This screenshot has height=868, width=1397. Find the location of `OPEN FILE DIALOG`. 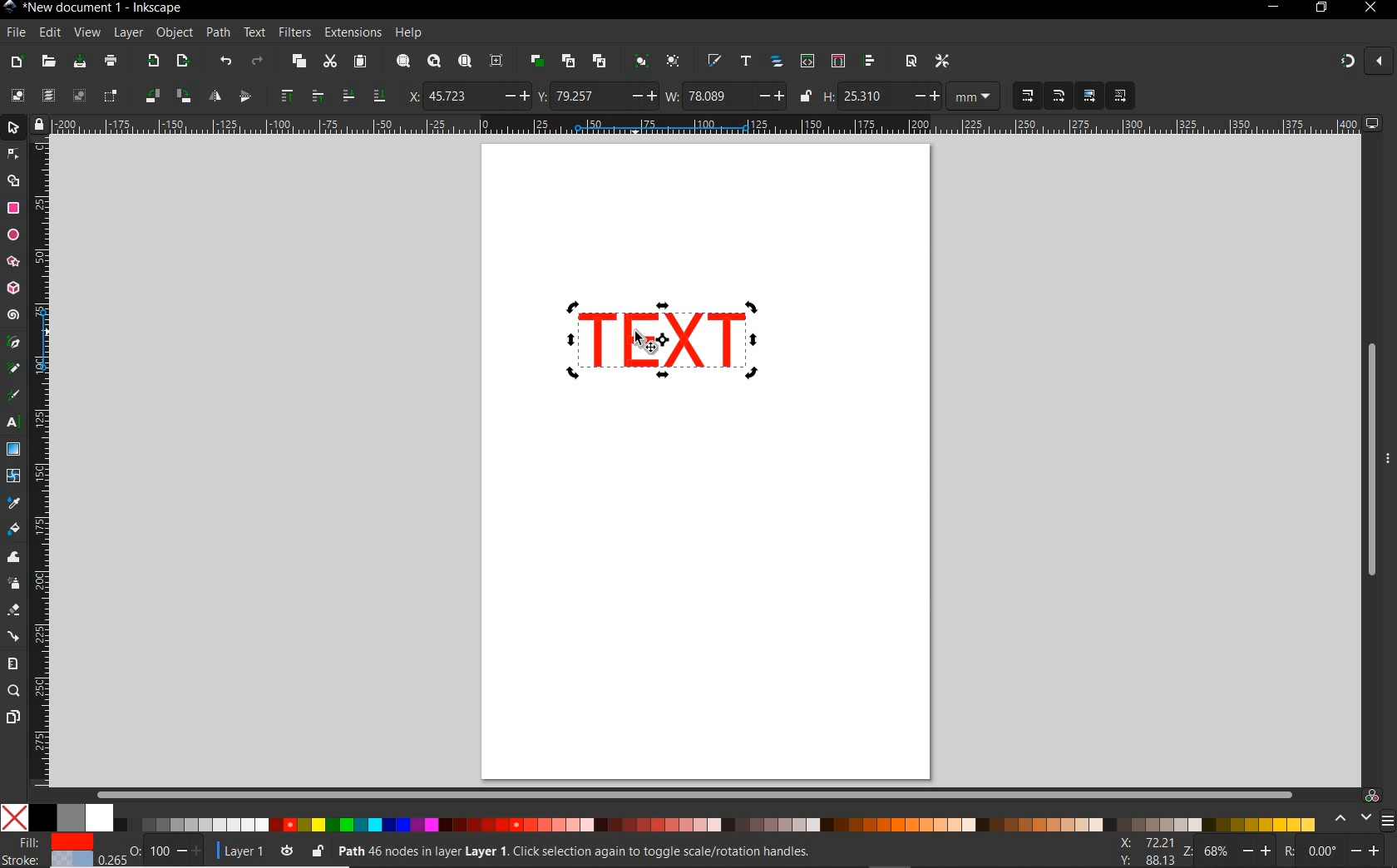

OPEN FILE DIALOG is located at coordinates (48, 62).